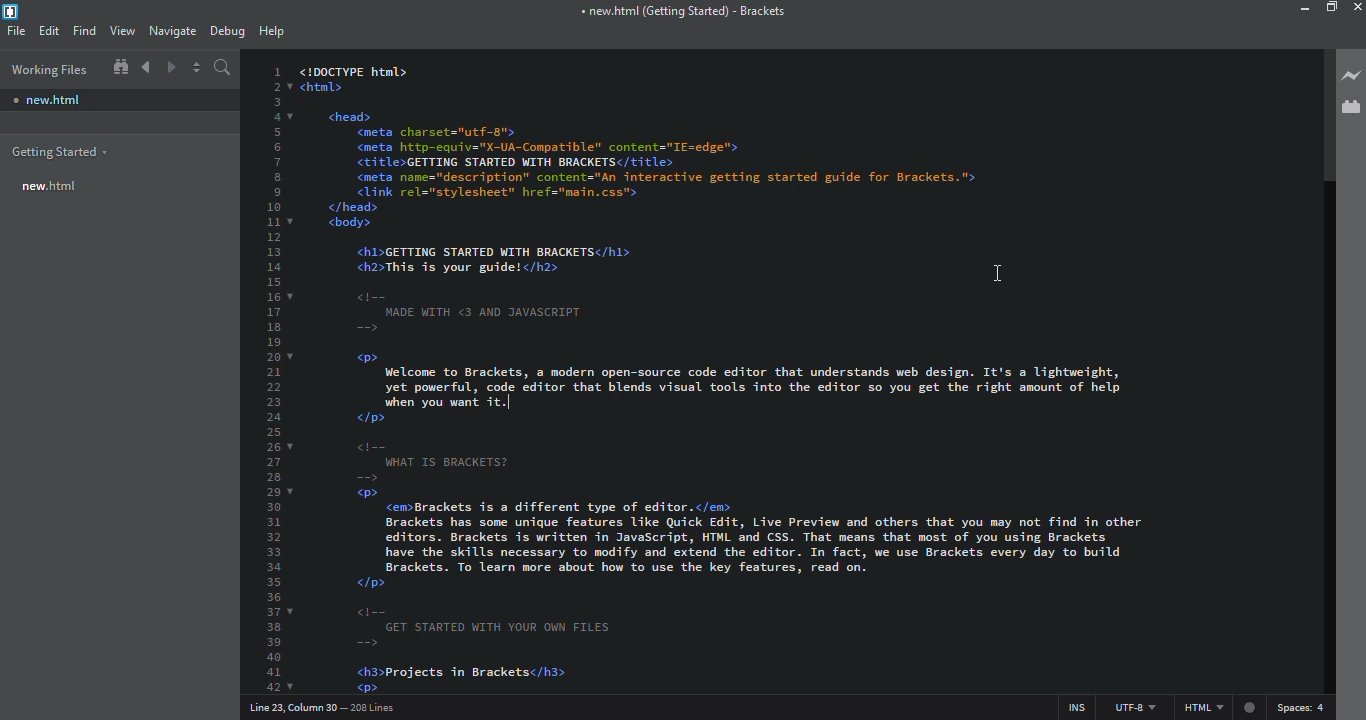  What do you see at coordinates (172, 68) in the screenshot?
I see `navigate forward` at bounding box center [172, 68].